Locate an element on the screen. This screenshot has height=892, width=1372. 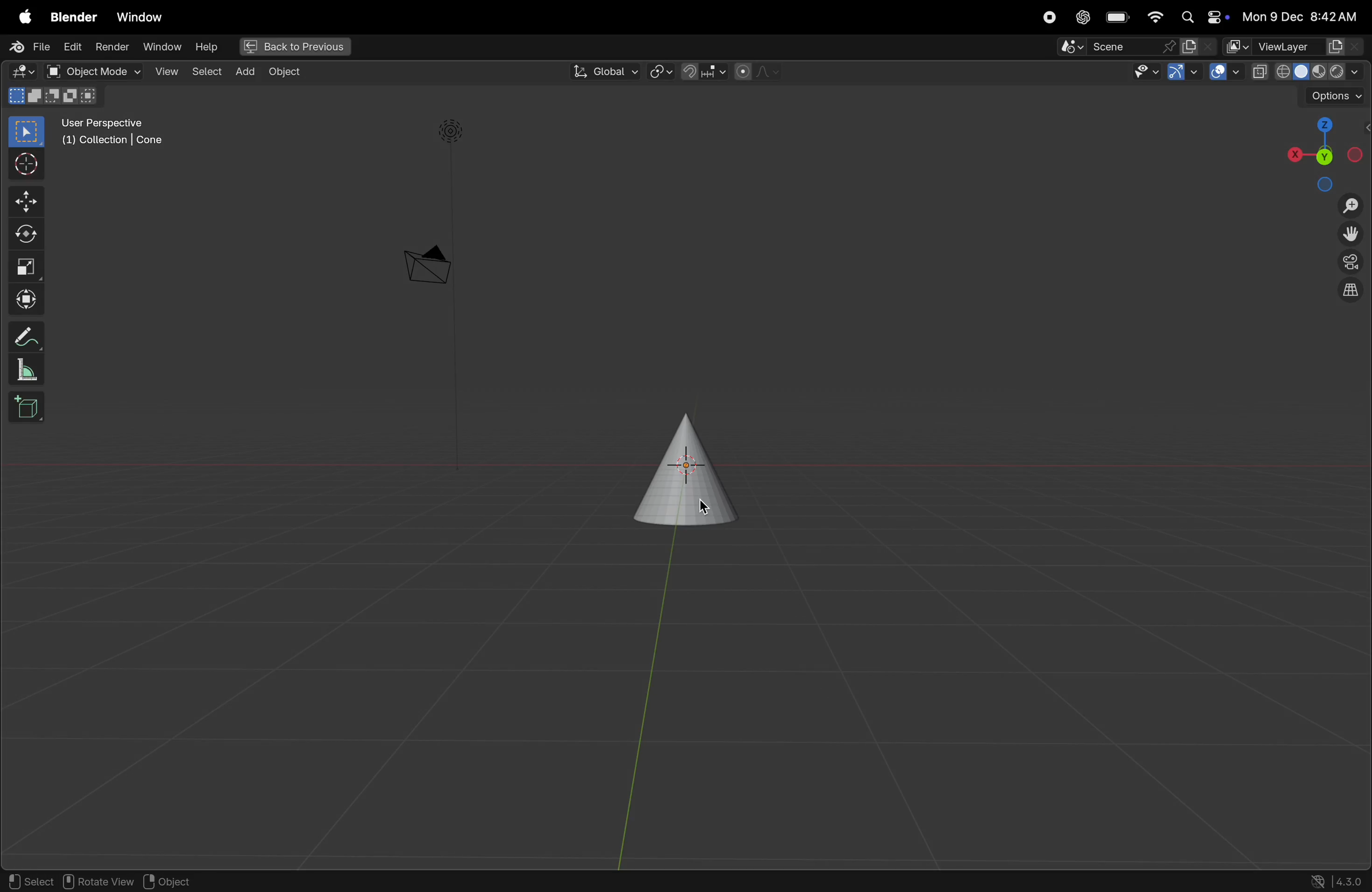
chatgpt is located at coordinates (1083, 17).